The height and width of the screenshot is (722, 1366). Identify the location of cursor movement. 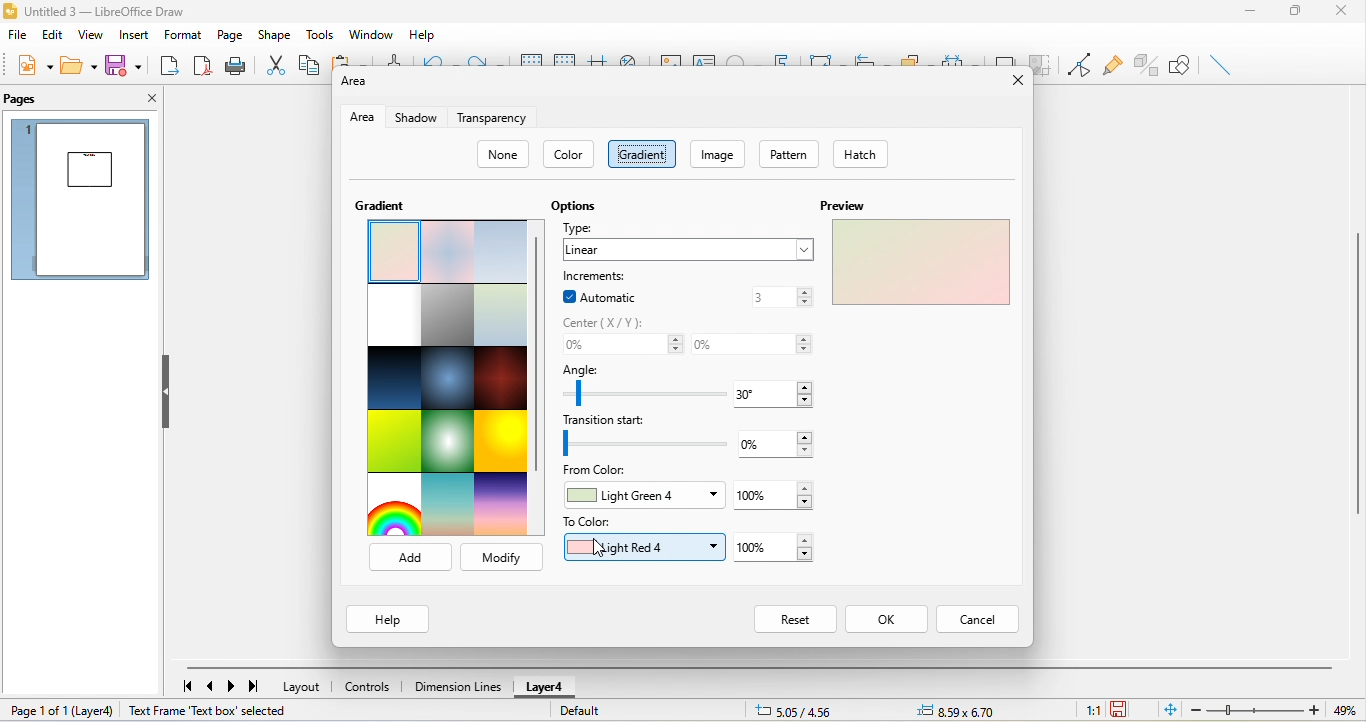
(605, 549).